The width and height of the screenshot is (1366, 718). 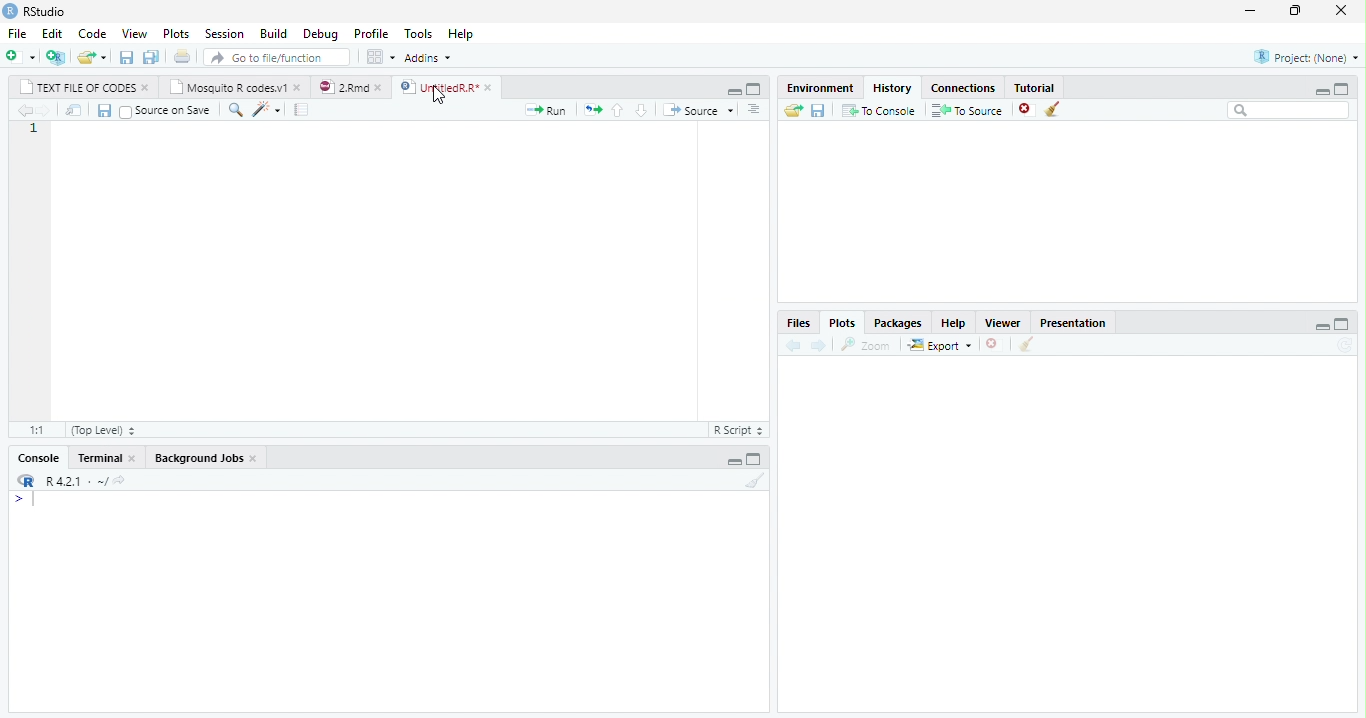 I want to click on Rscript, so click(x=738, y=431).